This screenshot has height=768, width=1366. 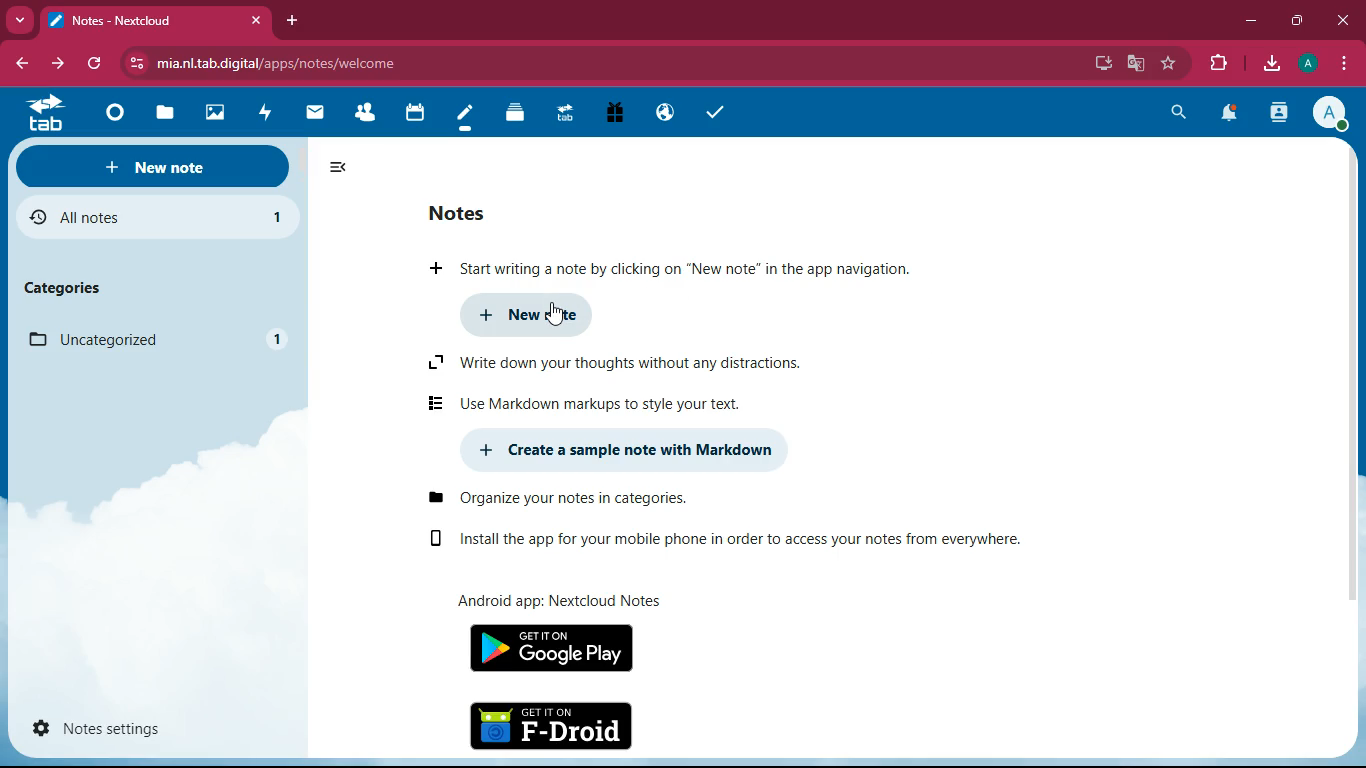 I want to click on view site information, so click(x=137, y=64).